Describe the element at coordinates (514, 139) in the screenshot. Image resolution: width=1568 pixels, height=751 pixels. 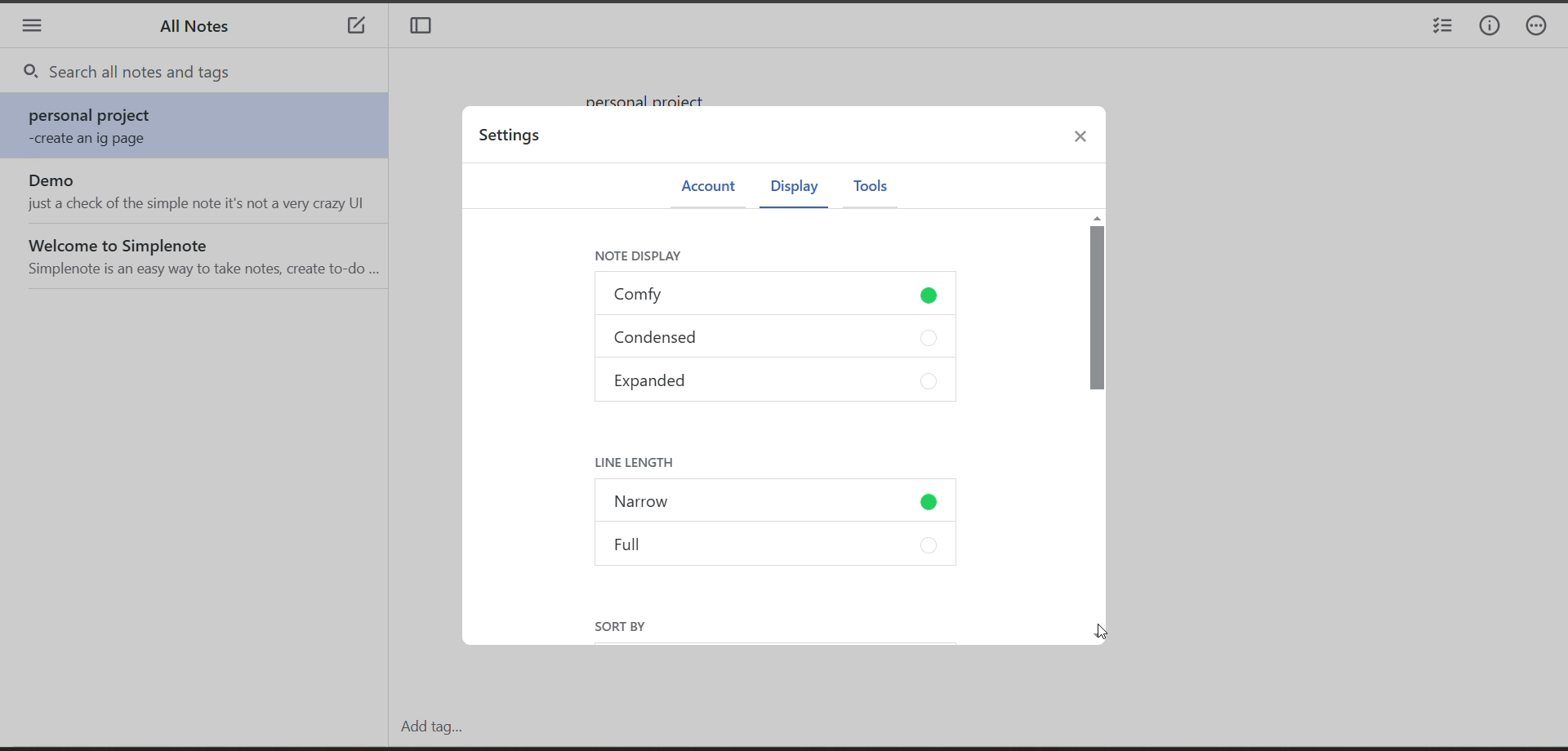
I see `settings` at that location.